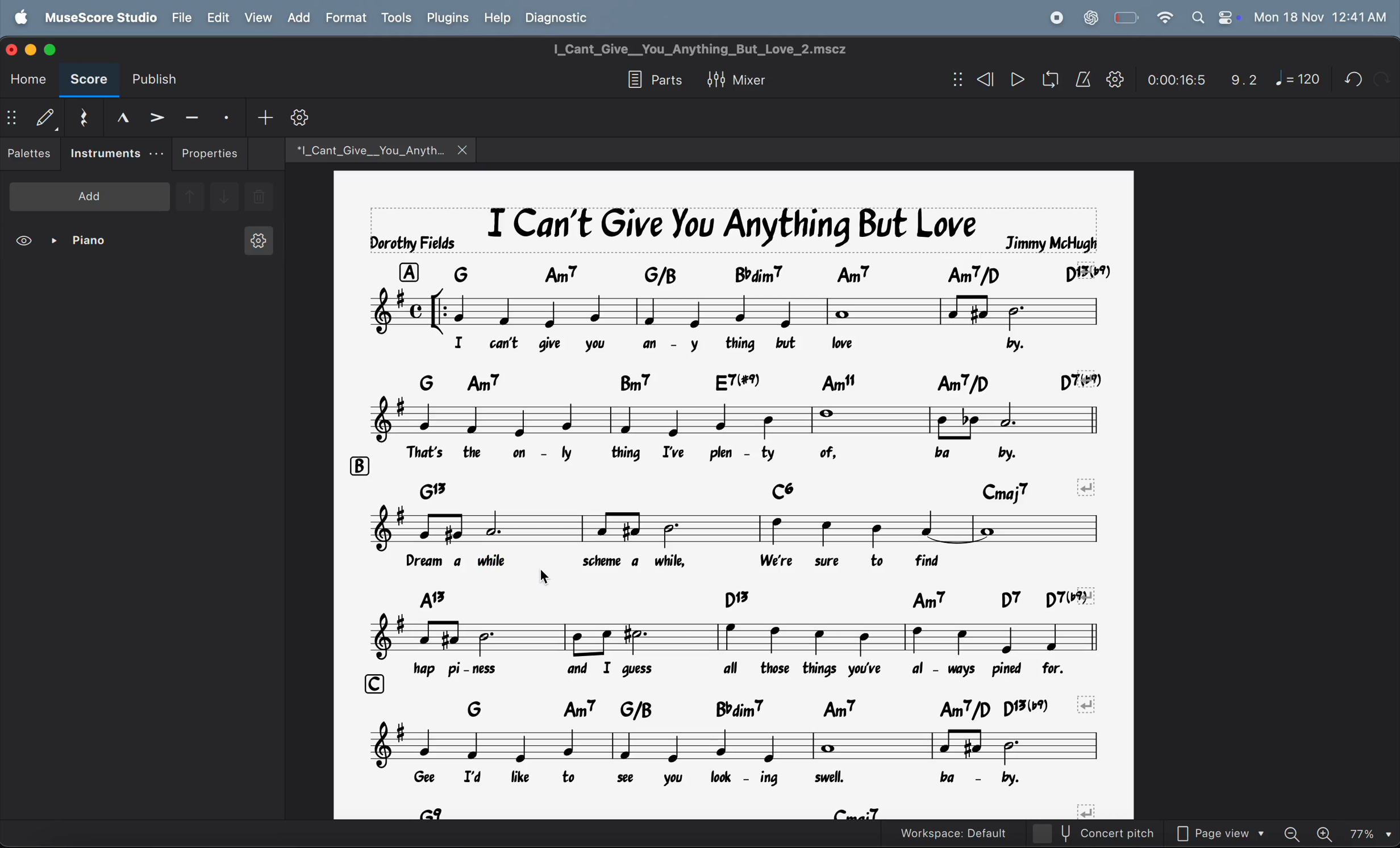  Describe the element at coordinates (48, 117) in the screenshot. I see `default` at that location.